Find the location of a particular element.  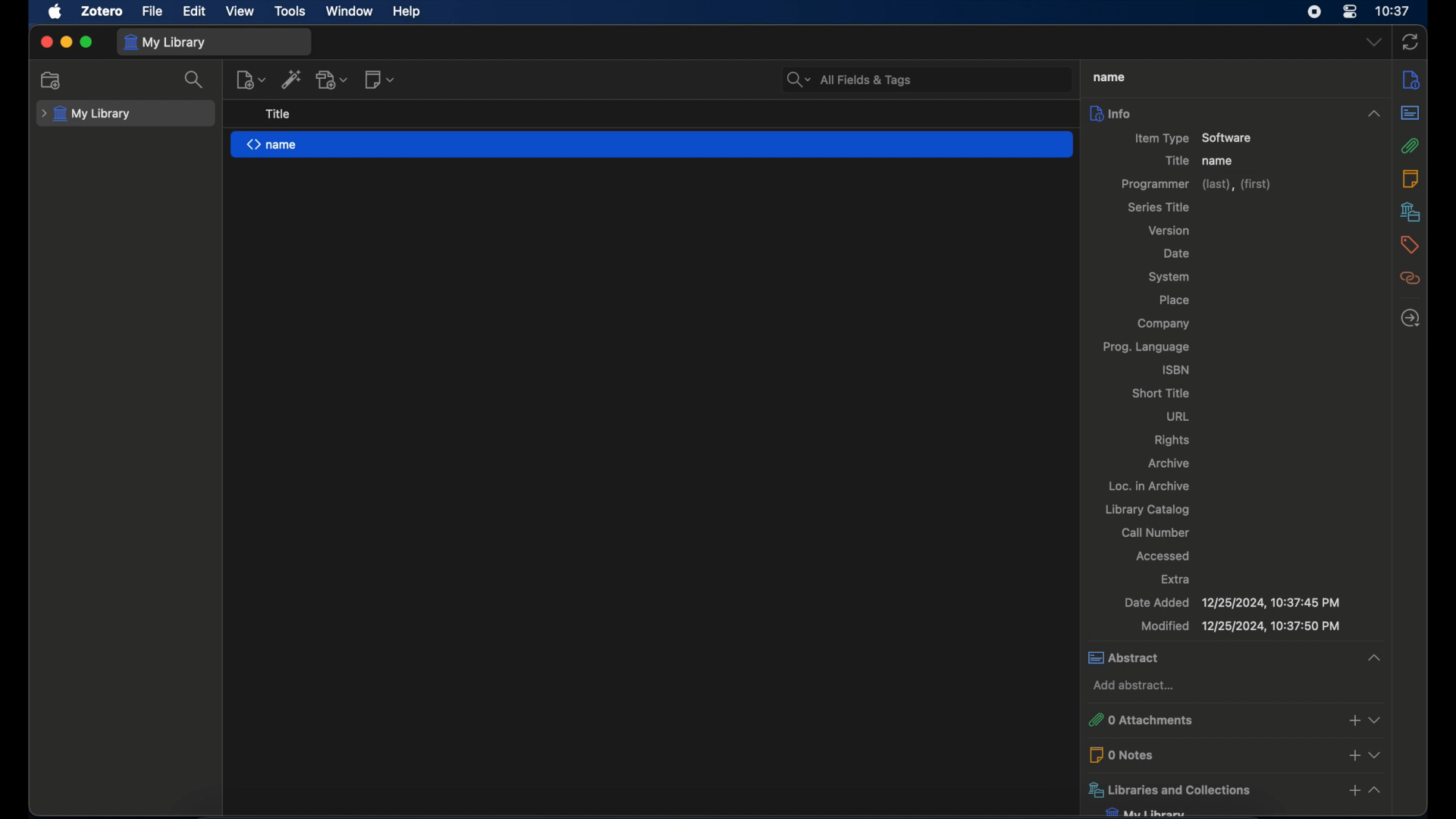

related is located at coordinates (1410, 278).